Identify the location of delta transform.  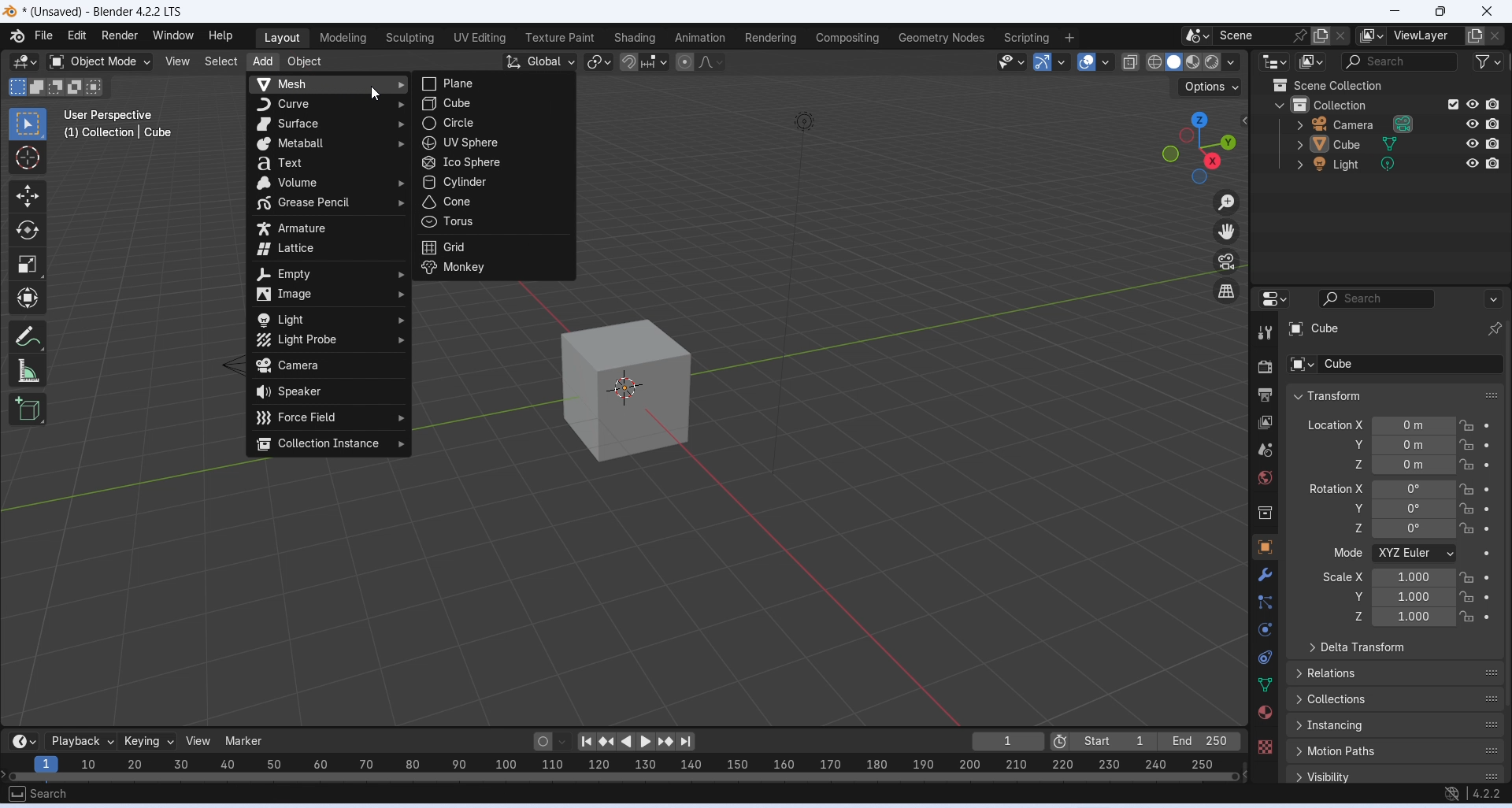
(1395, 647).